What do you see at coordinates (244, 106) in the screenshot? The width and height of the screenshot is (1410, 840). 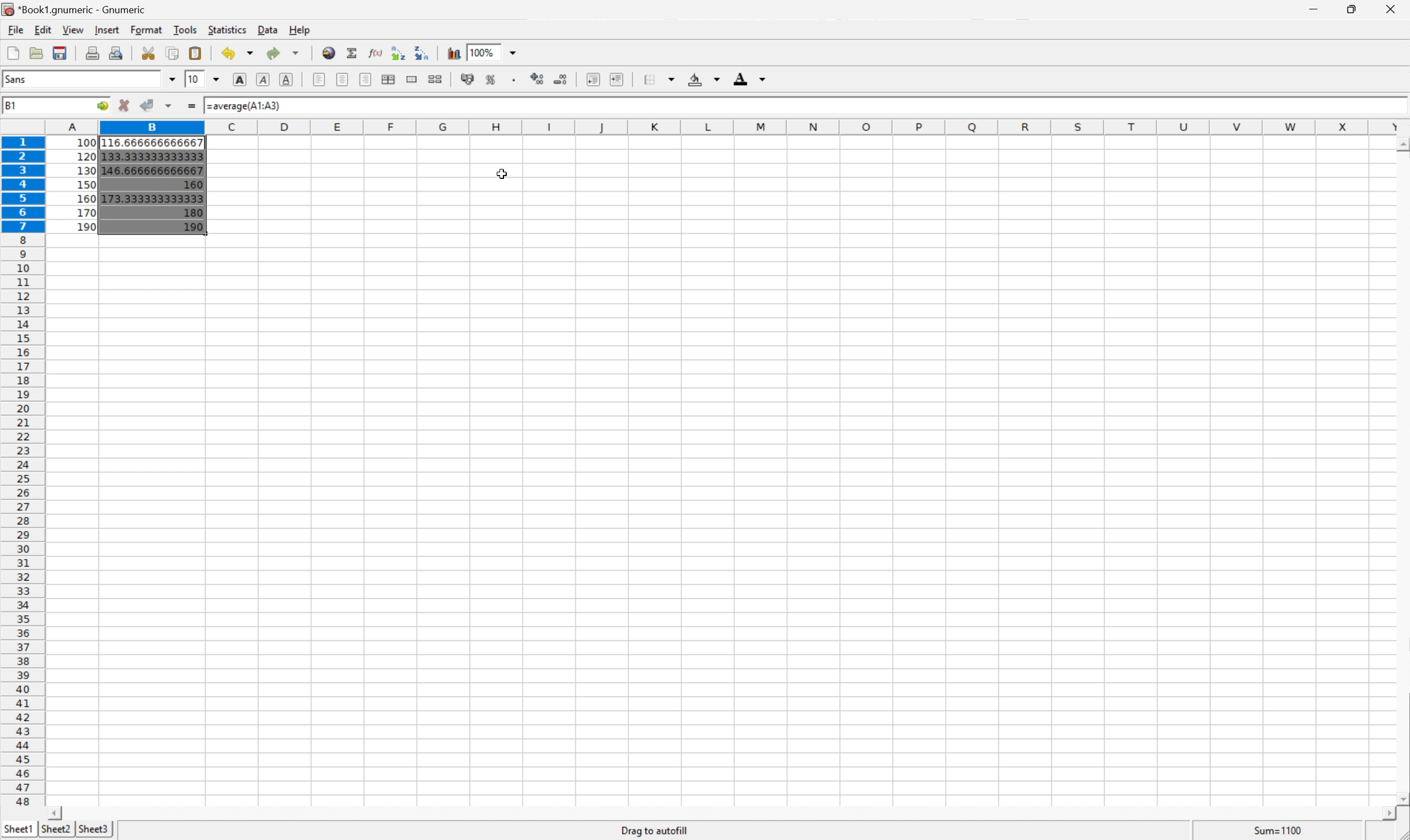 I see `=average(A1:A3)` at bounding box center [244, 106].